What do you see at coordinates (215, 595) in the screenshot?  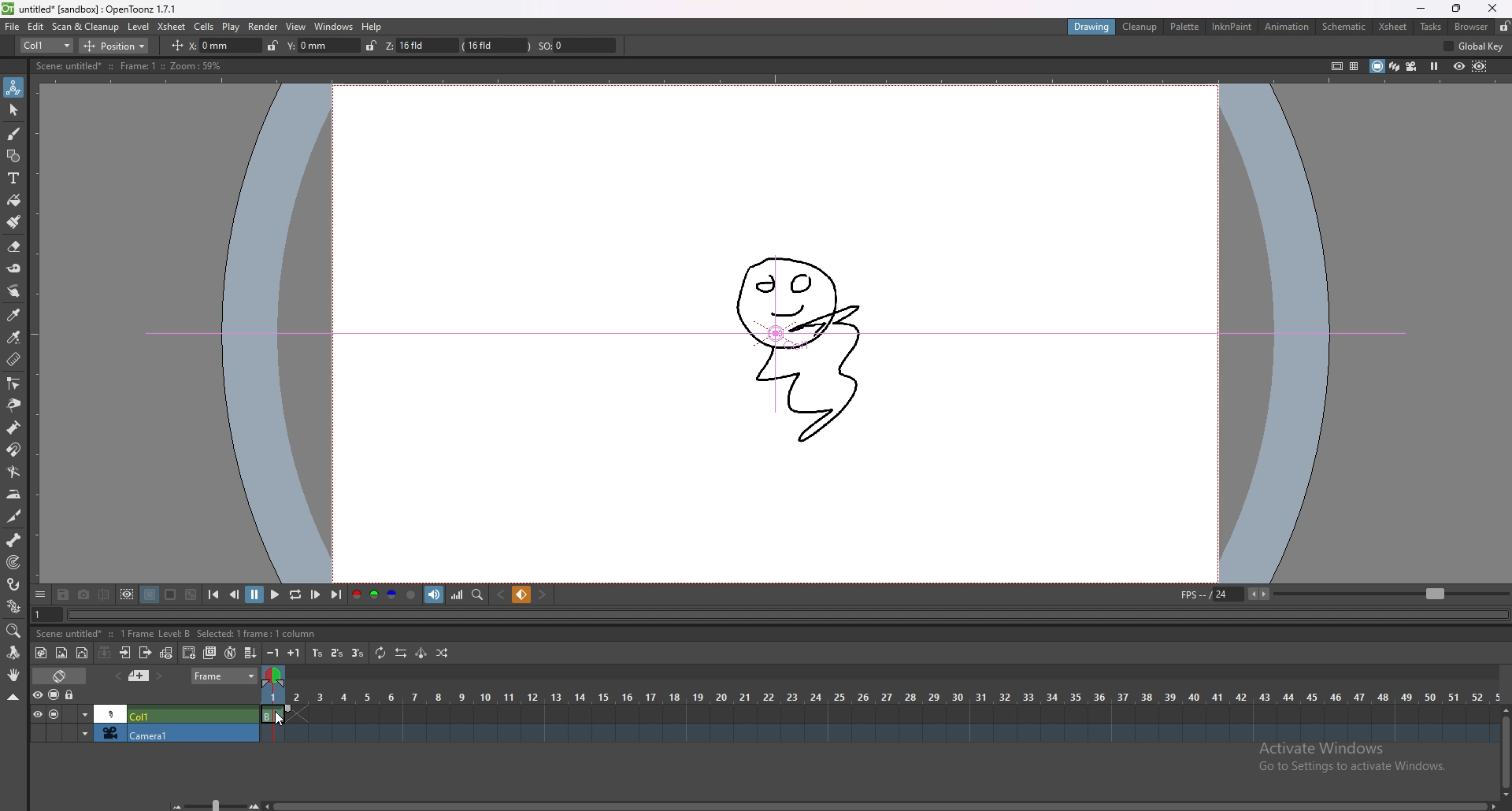 I see `first frame` at bounding box center [215, 595].